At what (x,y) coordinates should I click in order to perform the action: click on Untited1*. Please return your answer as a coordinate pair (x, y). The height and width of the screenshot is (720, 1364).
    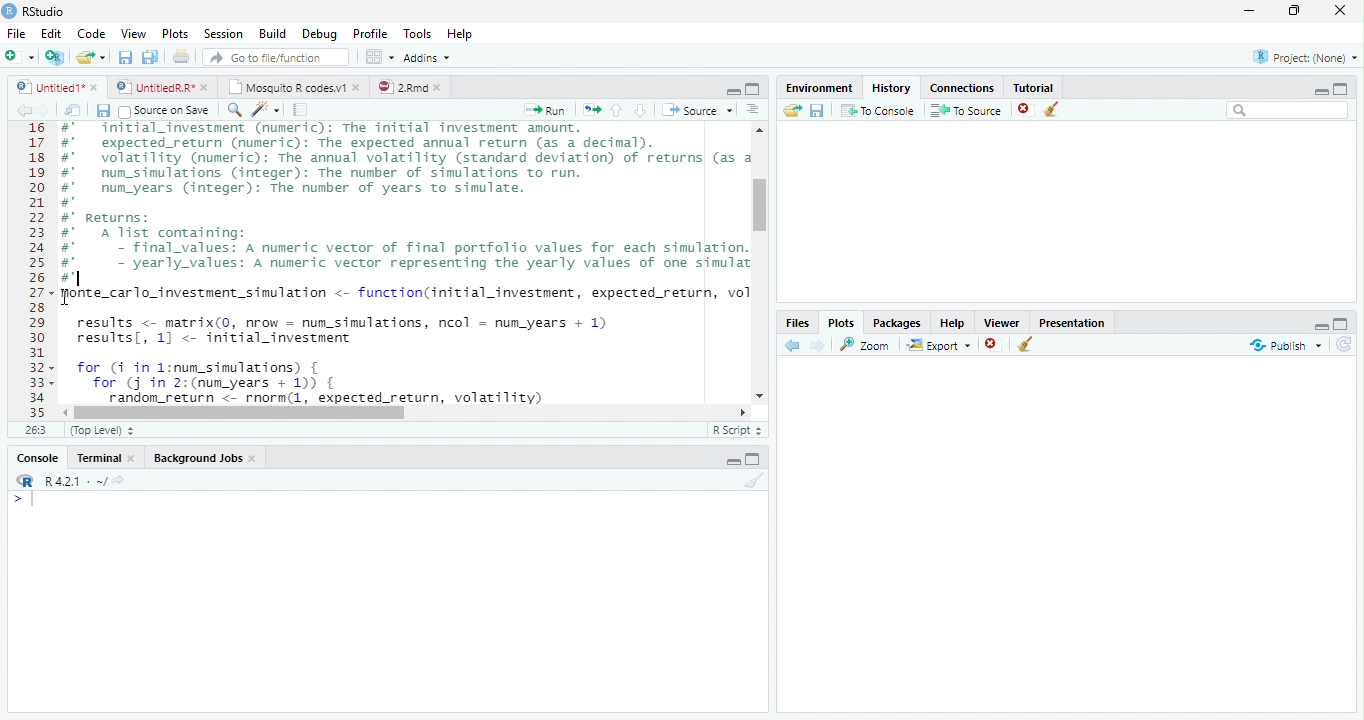
    Looking at the image, I should click on (55, 86).